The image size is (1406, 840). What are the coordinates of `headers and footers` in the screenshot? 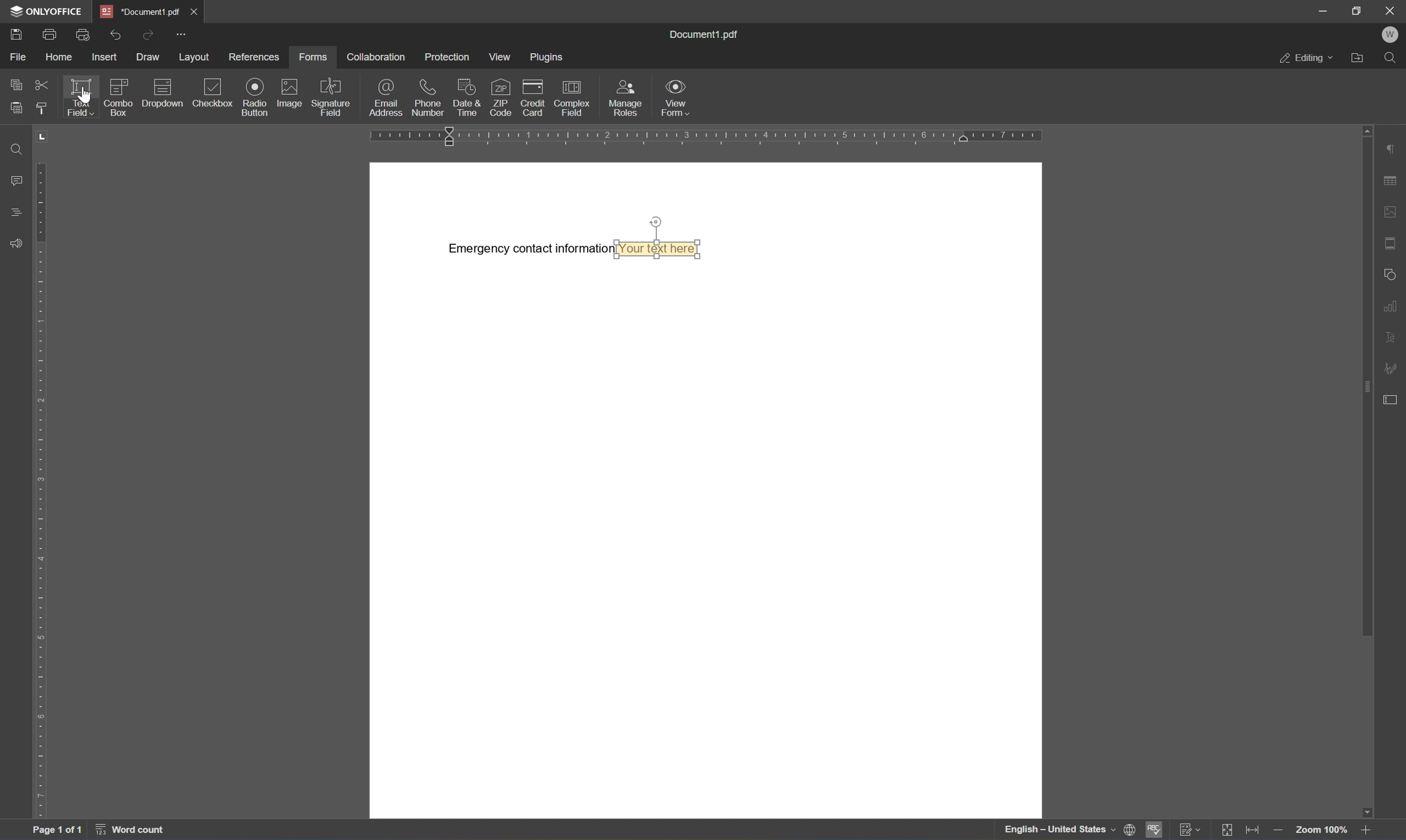 It's located at (1393, 239).